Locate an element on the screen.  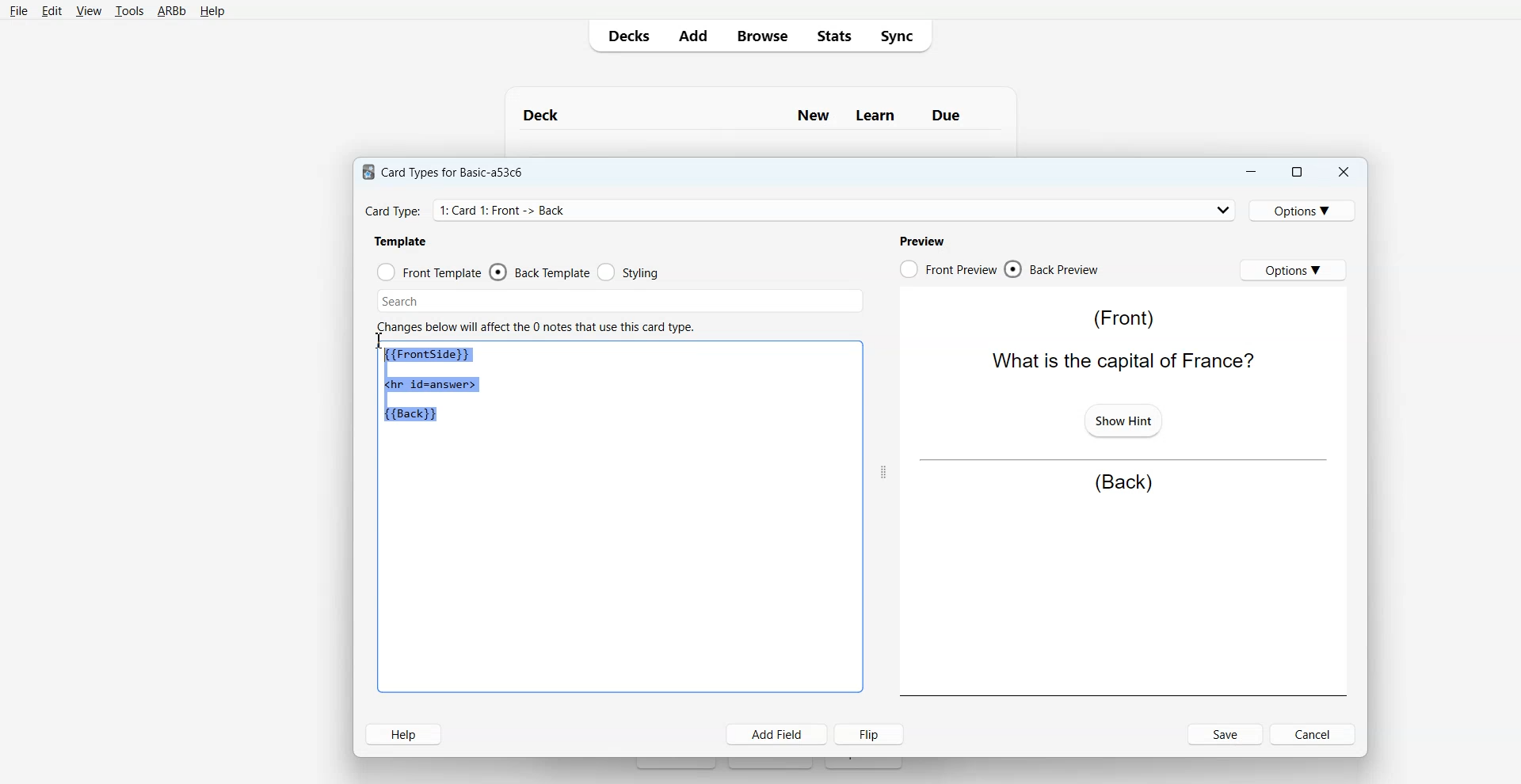
{{Frontside}}
<hr id=answer>
(Back) is located at coordinates (434, 386).